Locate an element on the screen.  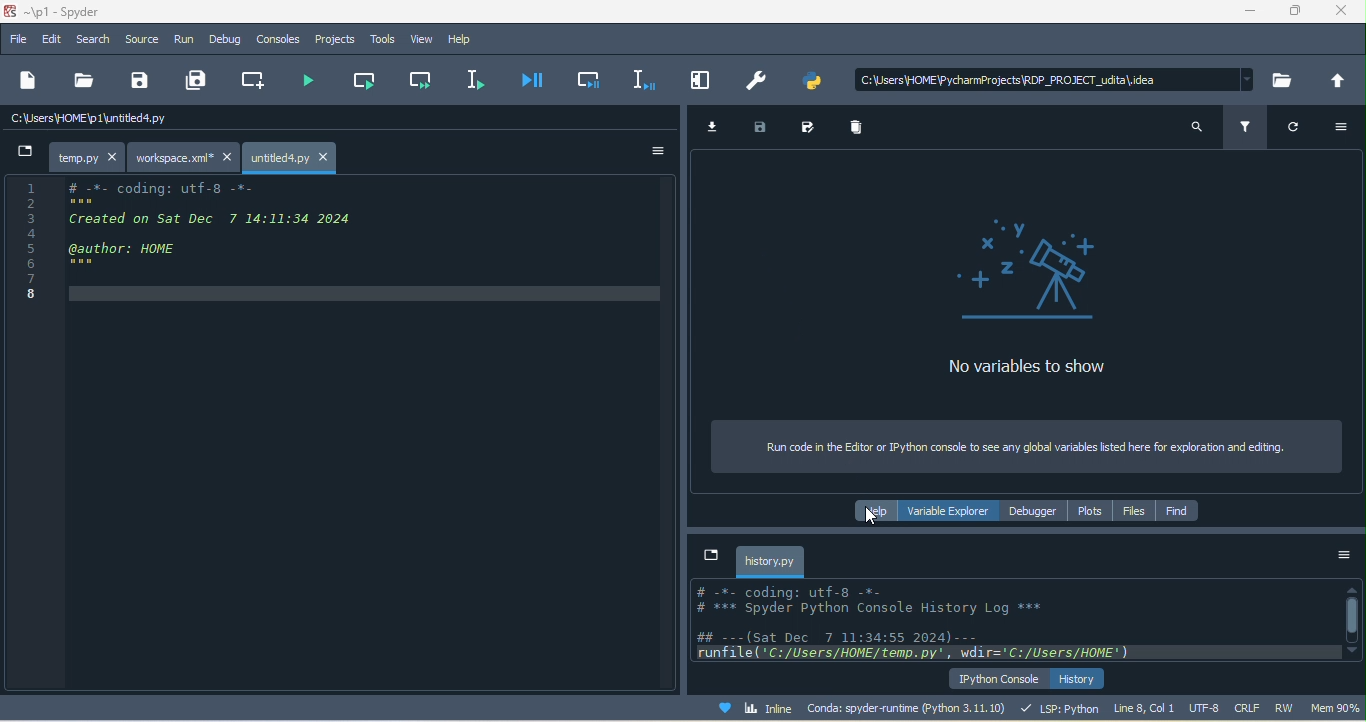
history is located at coordinates (1079, 679).